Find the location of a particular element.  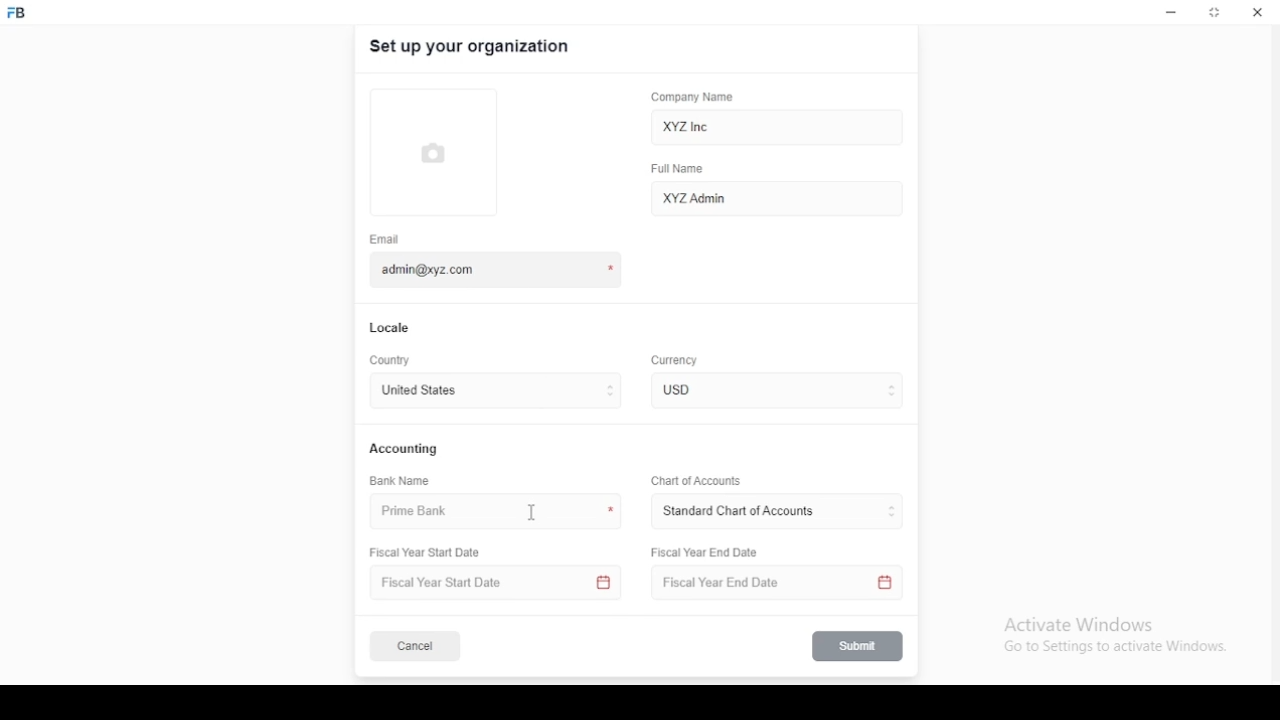

accounting is located at coordinates (405, 448).